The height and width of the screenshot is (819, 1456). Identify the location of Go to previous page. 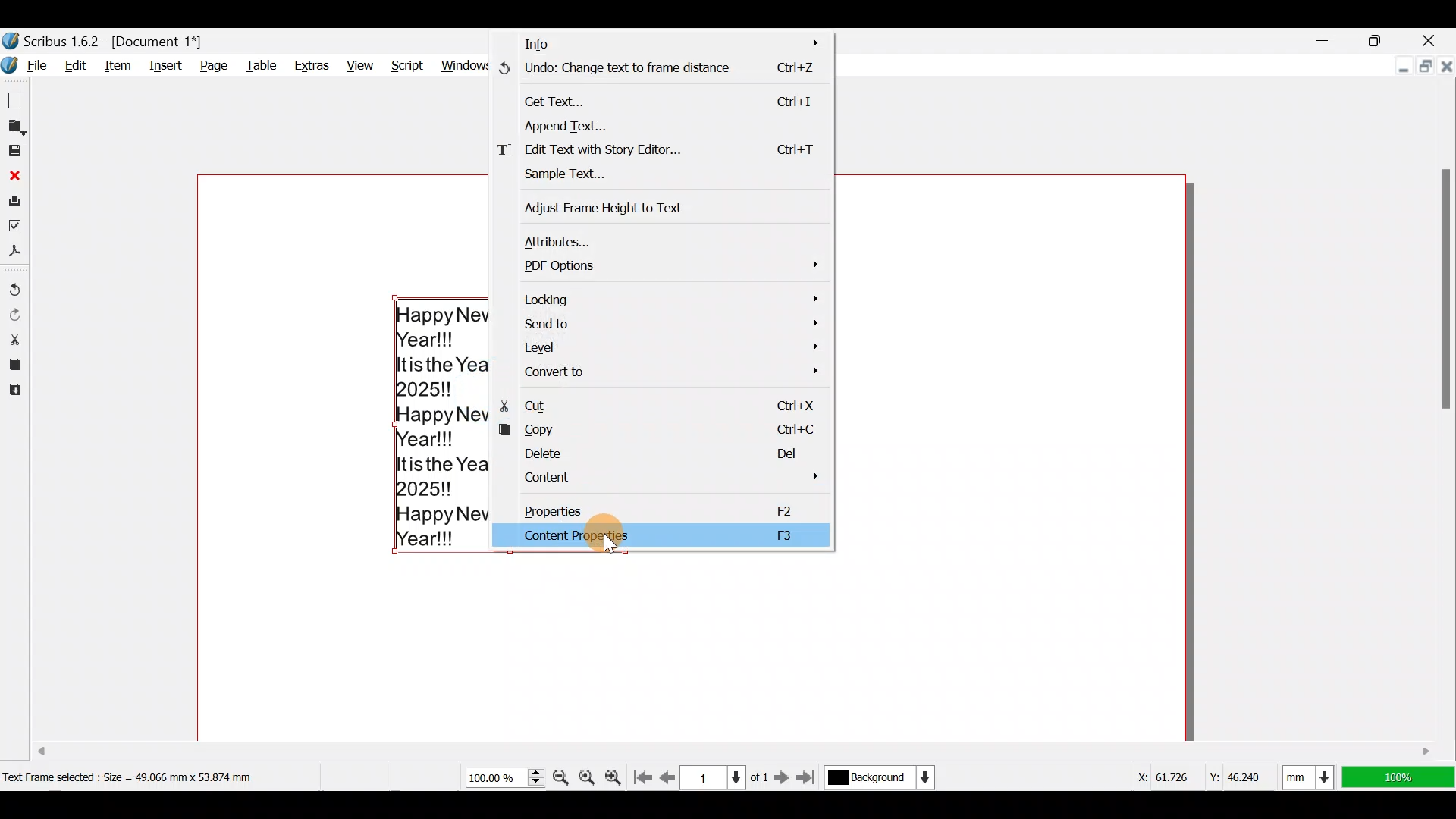
(668, 774).